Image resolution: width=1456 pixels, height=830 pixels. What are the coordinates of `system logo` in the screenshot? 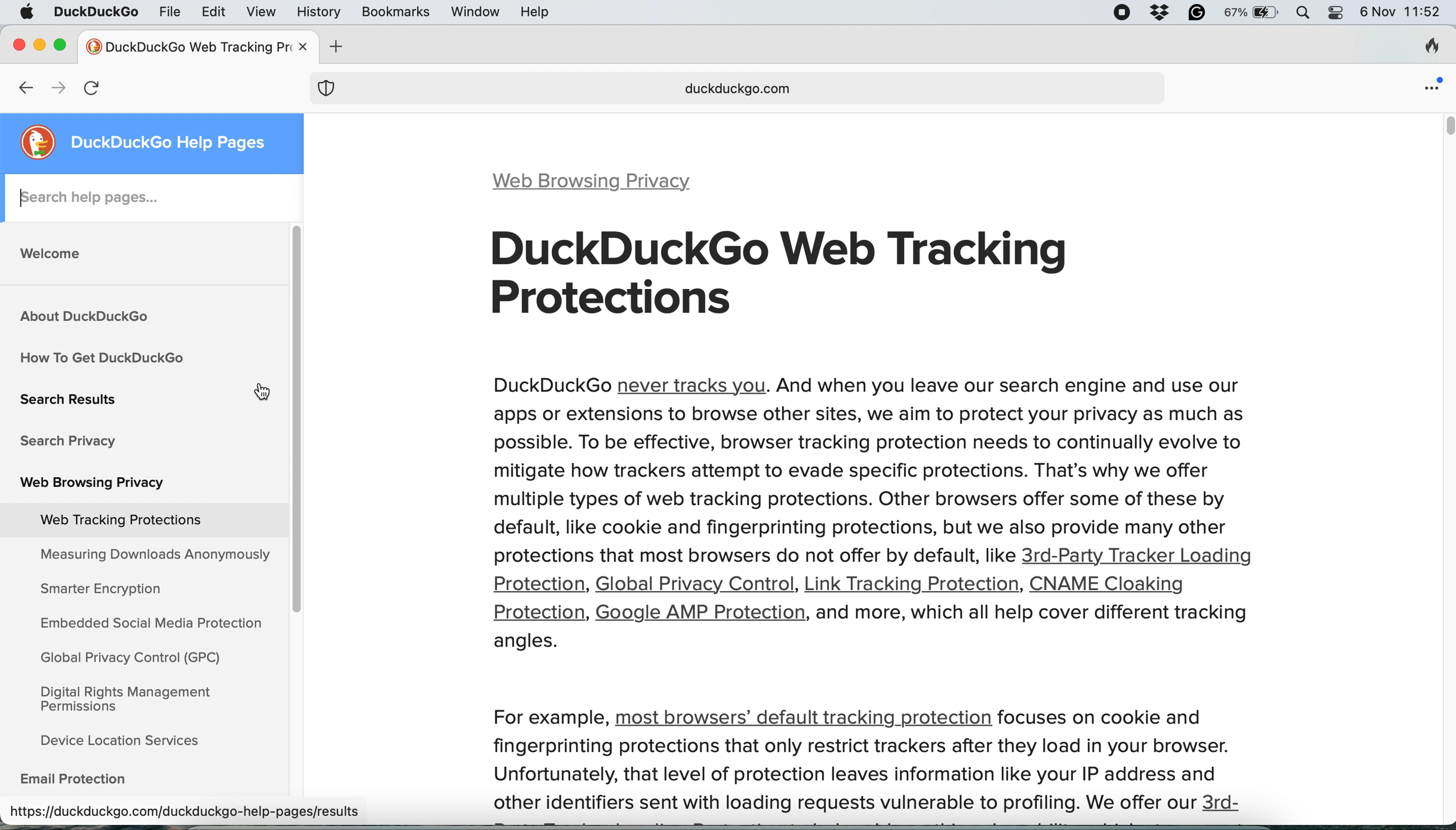 It's located at (29, 13).